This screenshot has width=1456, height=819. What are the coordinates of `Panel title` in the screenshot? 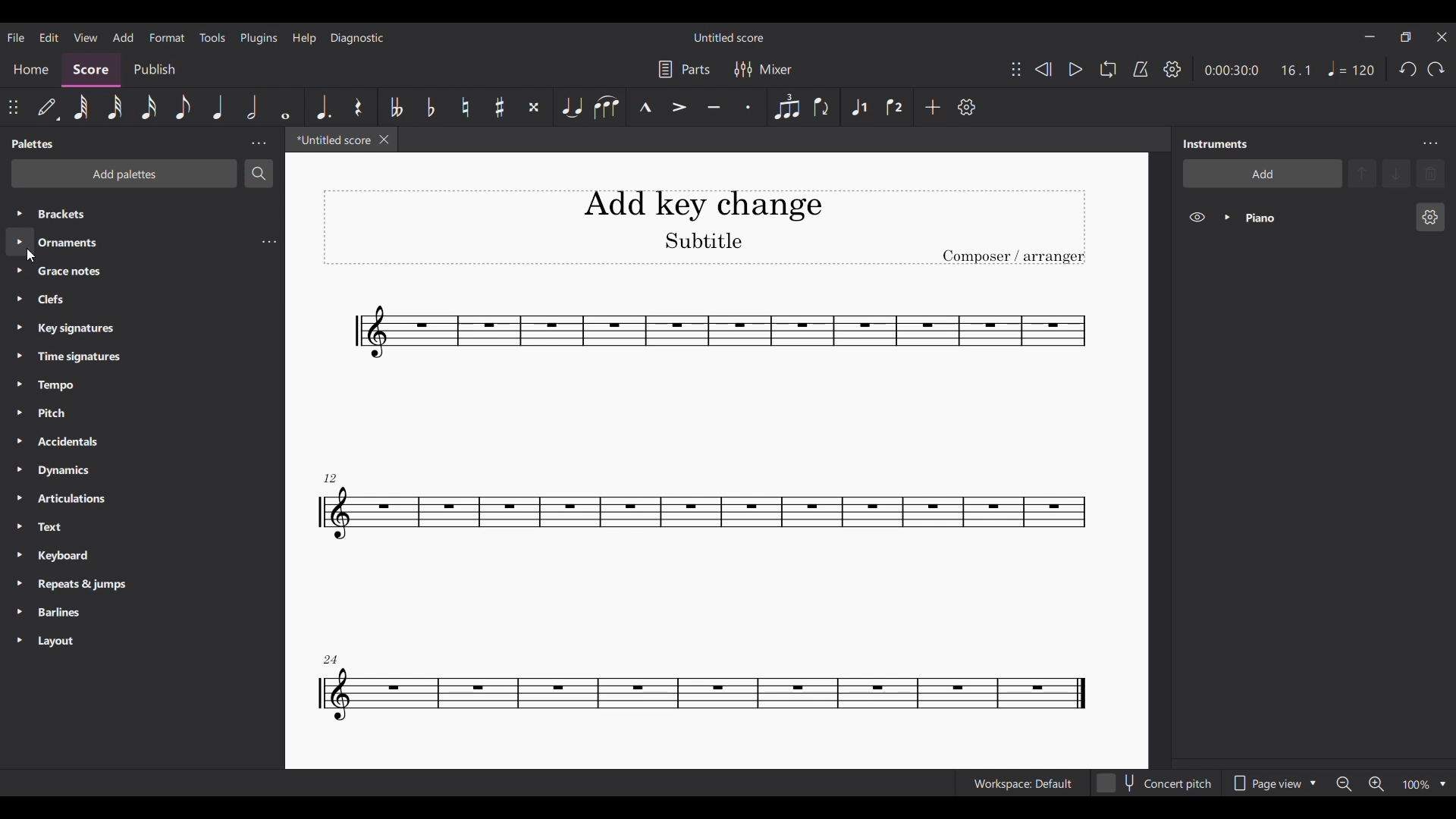 It's located at (1214, 143).